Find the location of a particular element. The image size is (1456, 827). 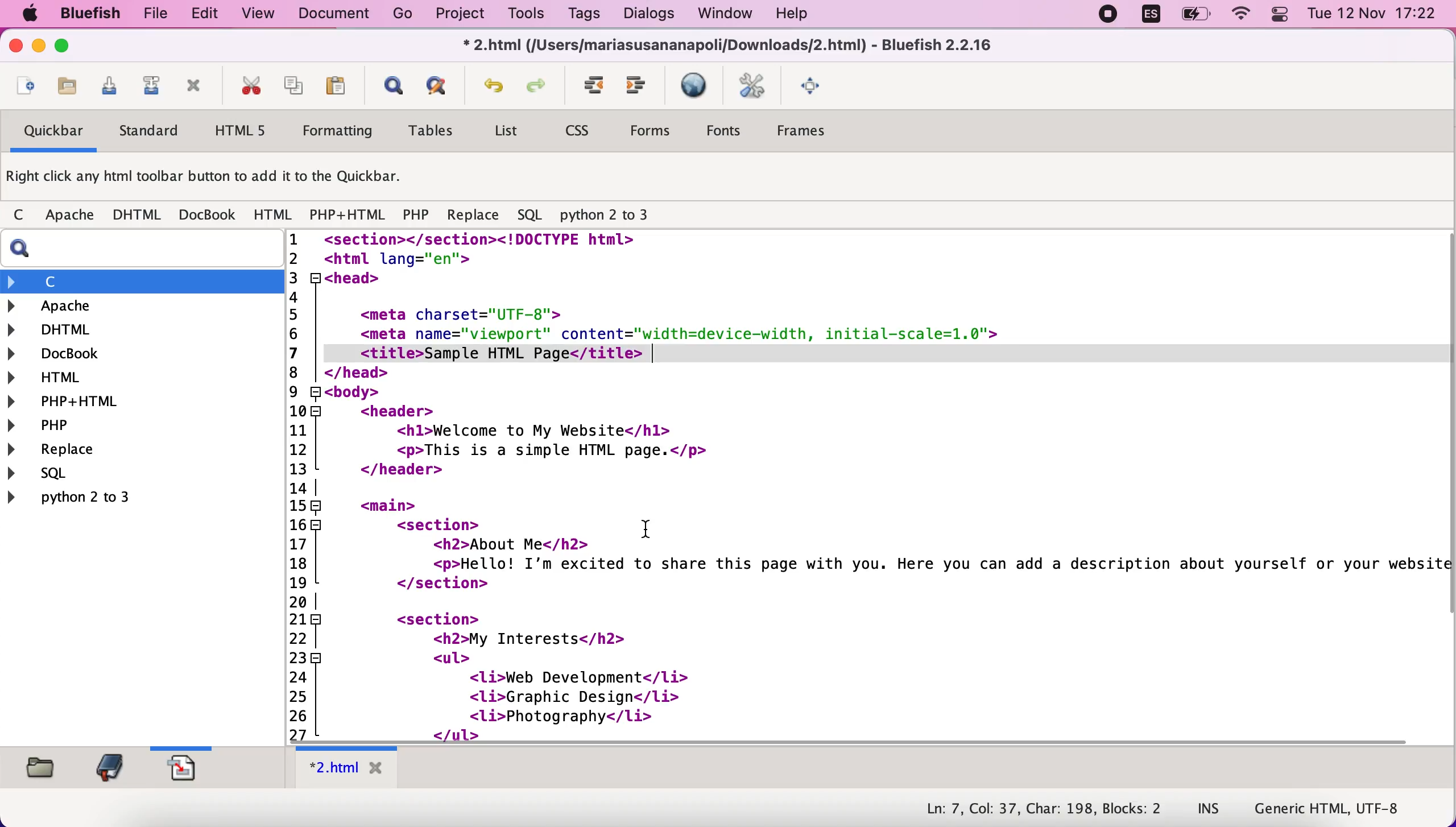

battery is located at coordinates (1192, 18).